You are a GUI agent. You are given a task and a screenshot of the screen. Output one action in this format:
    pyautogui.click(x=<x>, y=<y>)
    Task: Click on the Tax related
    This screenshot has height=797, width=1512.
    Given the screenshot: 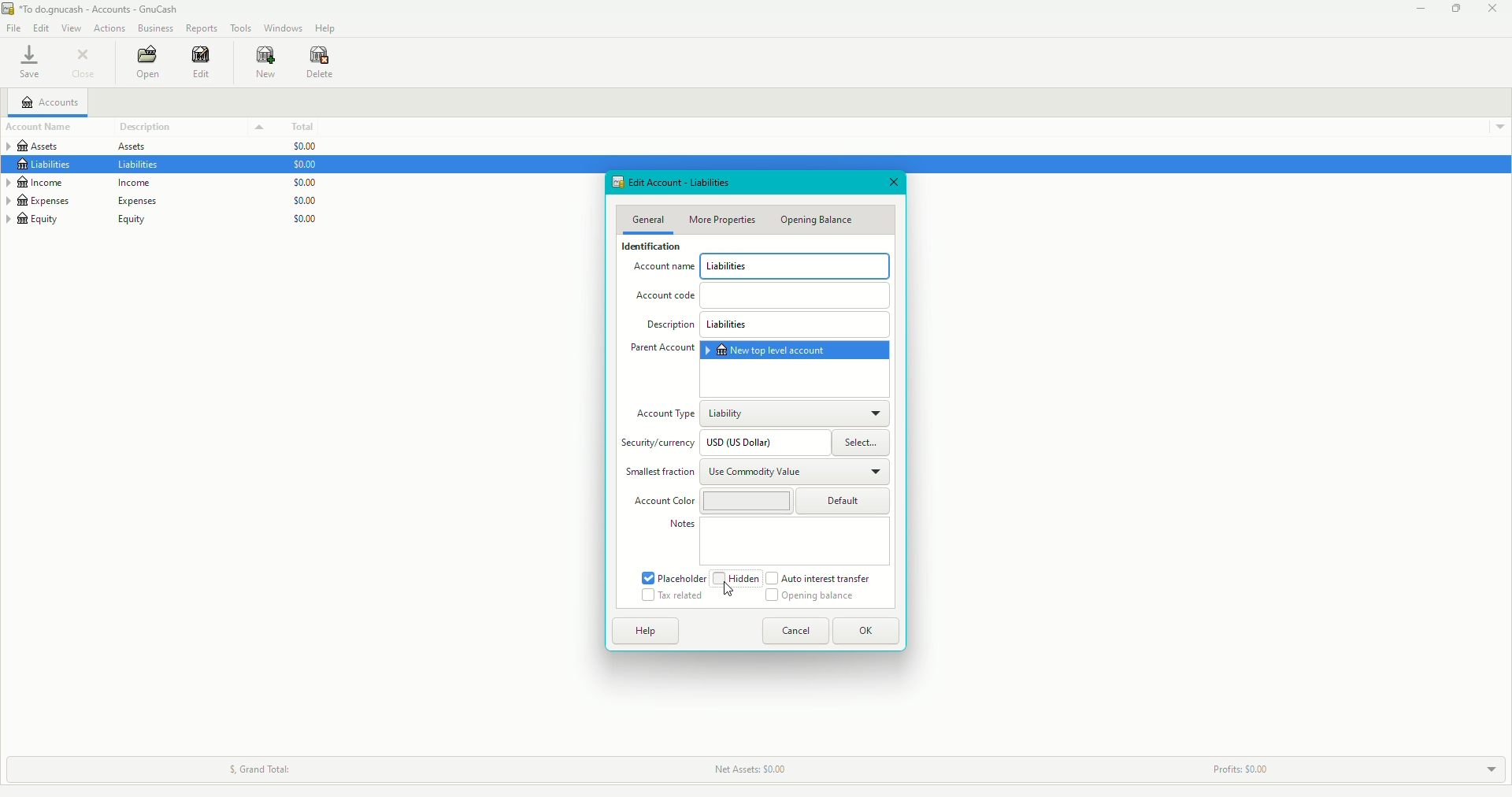 What is the action you would take?
    pyautogui.click(x=673, y=595)
    